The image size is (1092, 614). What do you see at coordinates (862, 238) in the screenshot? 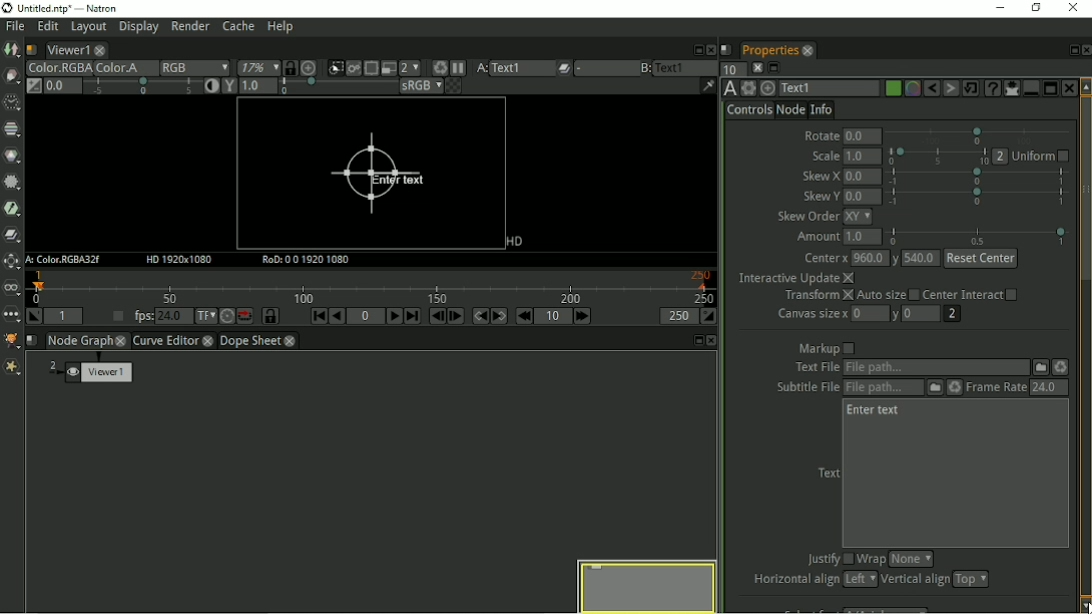
I see `1.0` at bounding box center [862, 238].